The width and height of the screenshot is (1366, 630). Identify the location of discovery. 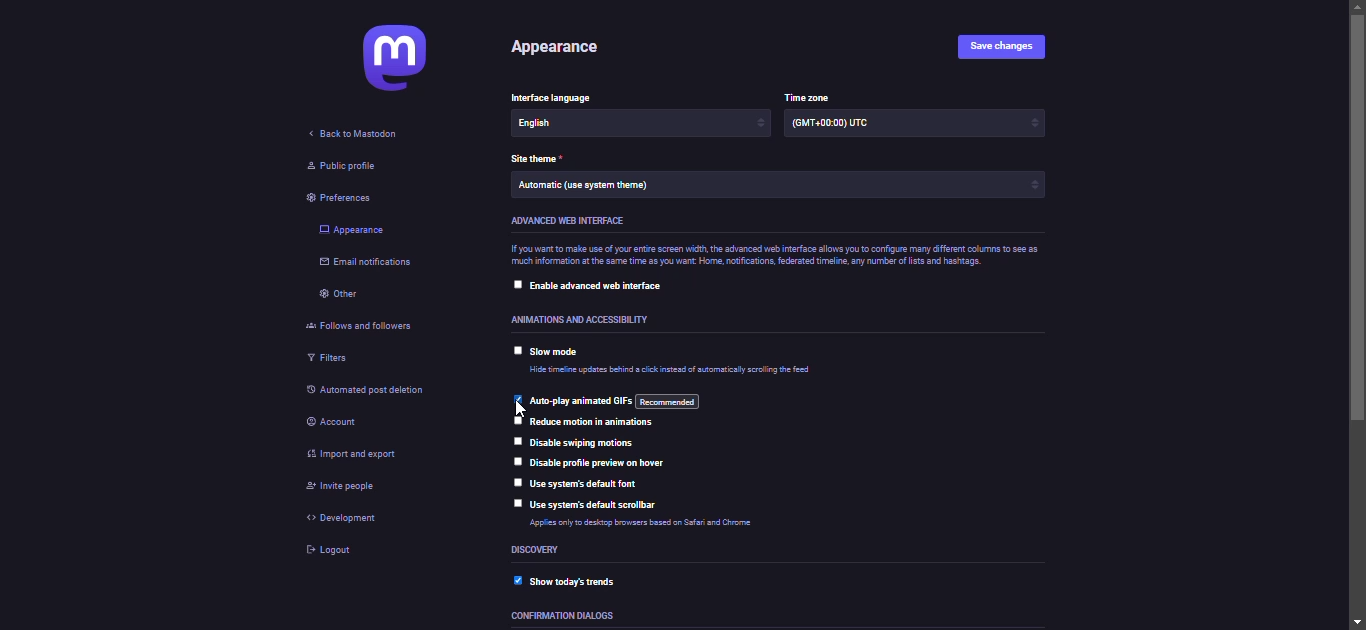
(536, 551).